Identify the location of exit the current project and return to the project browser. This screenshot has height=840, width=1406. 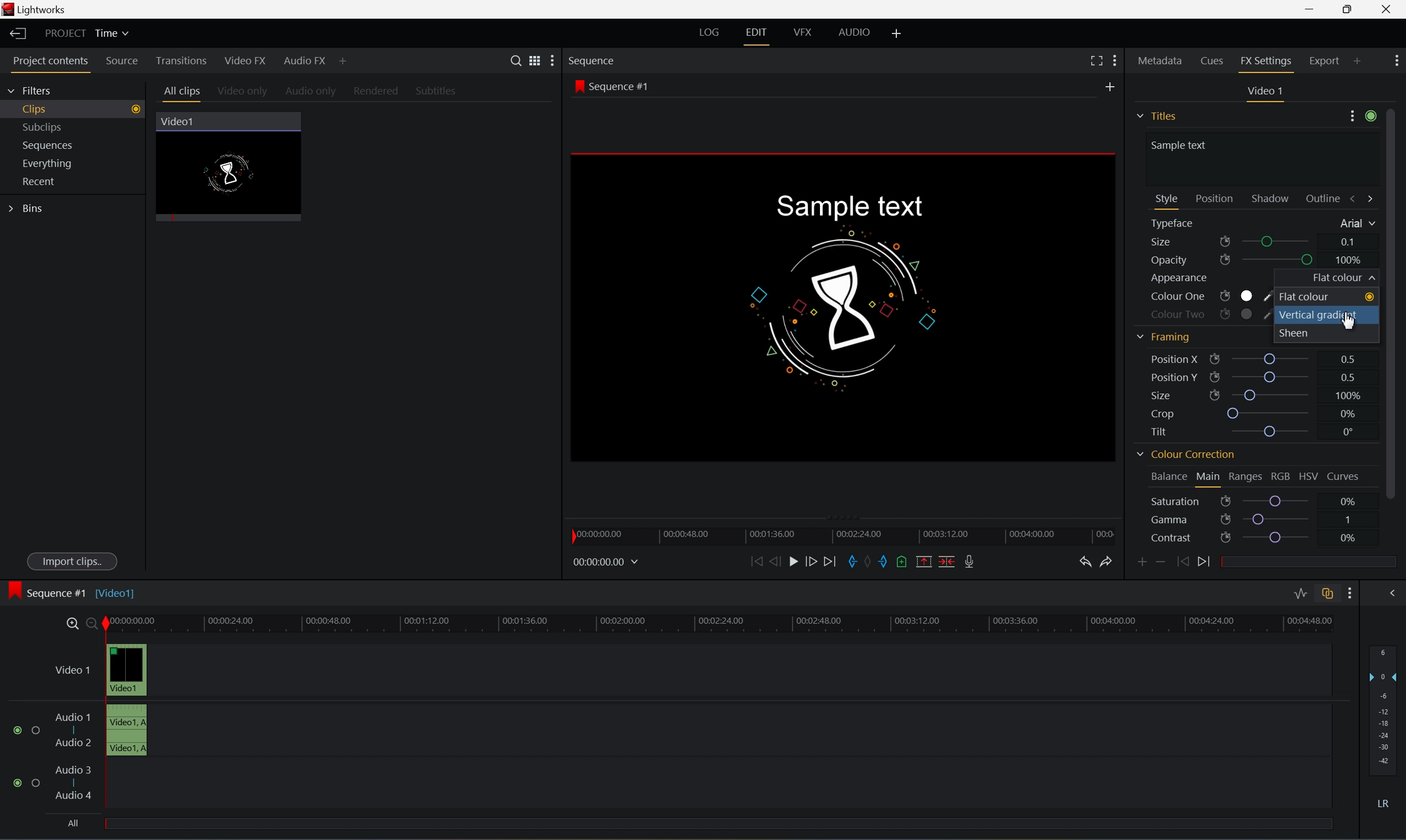
(19, 33).